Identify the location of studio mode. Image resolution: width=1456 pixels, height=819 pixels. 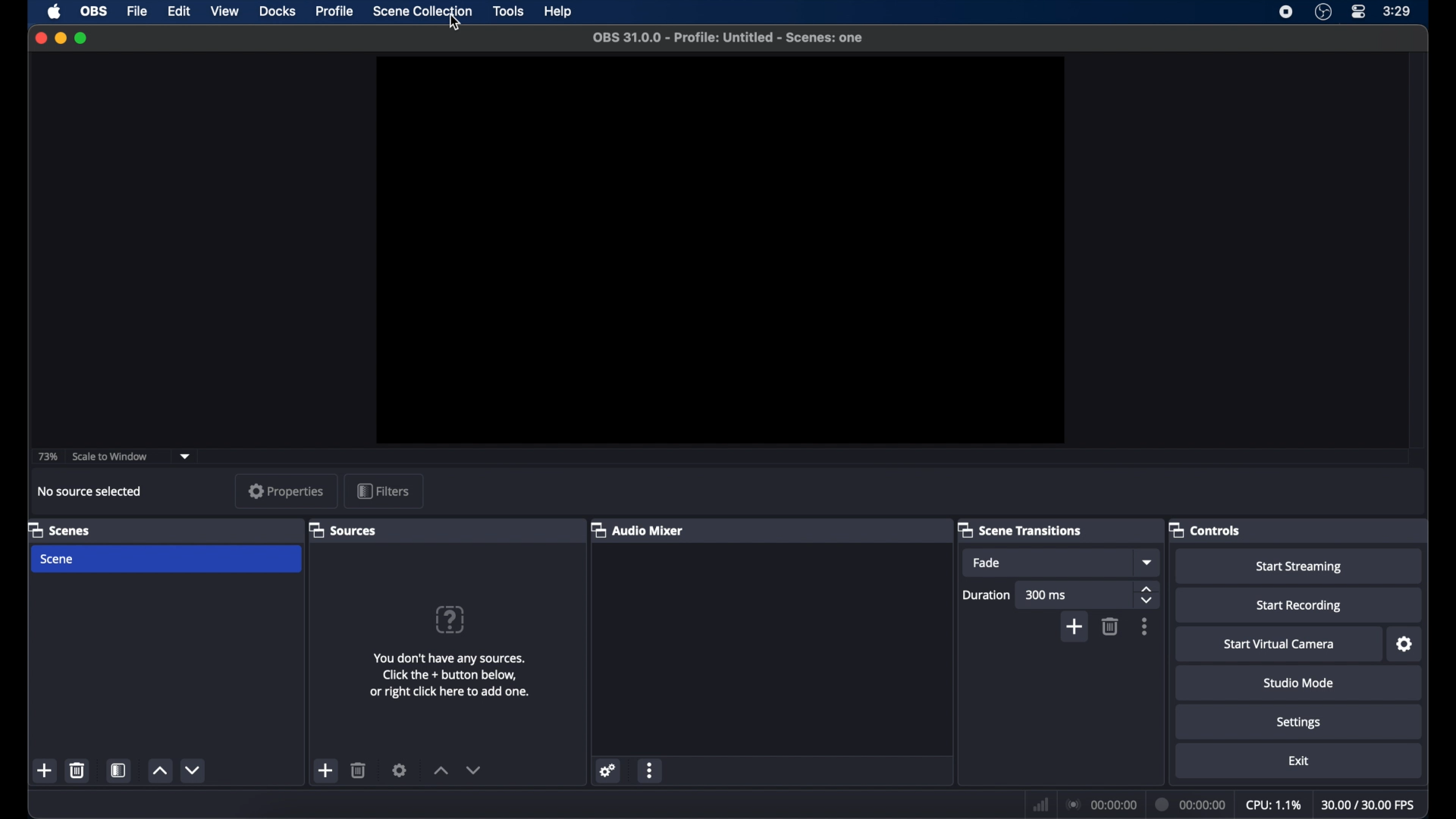
(1301, 682).